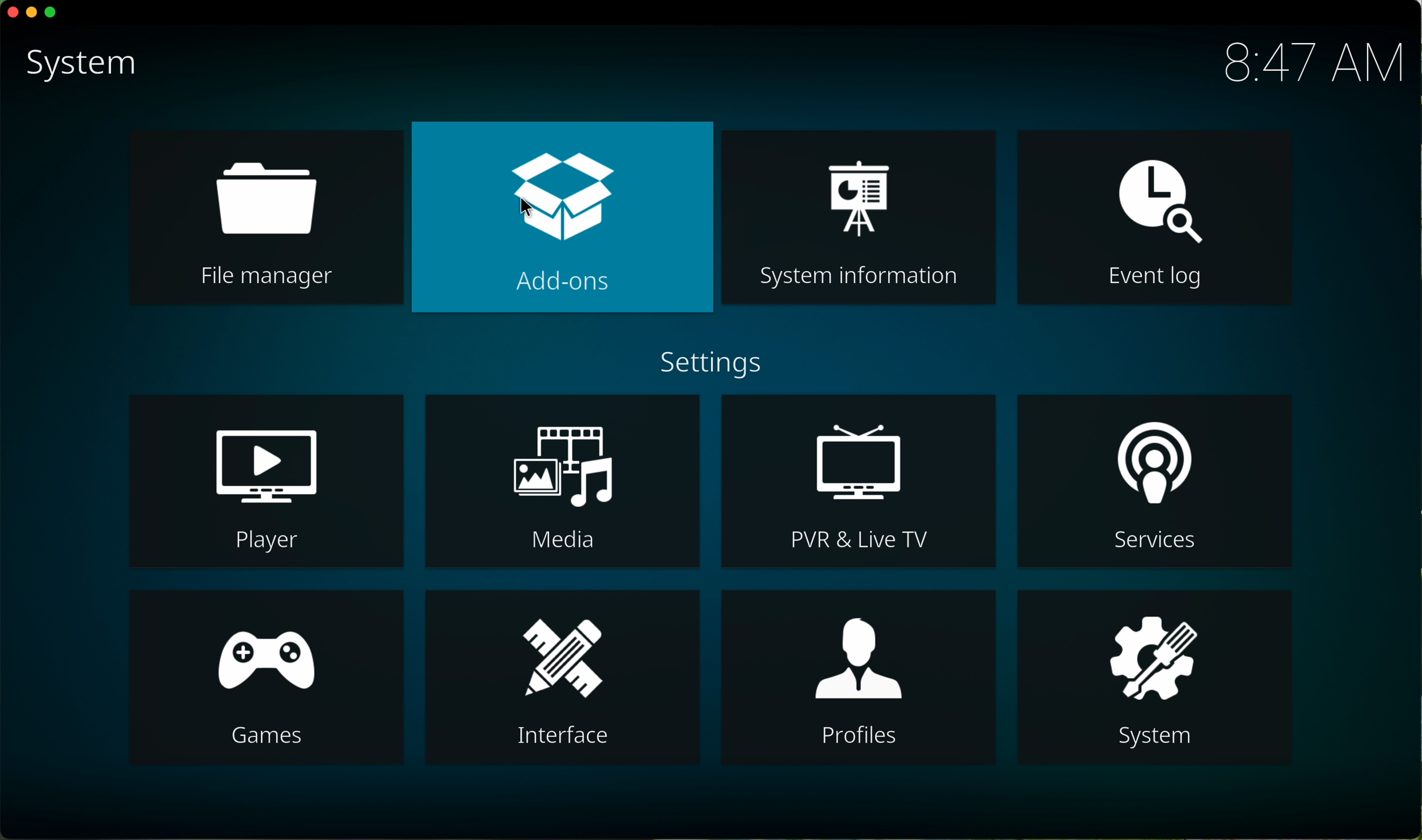 The width and height of the screenshot is (1422, 840). What do you see at coordinates (858, 479) in the screenshot?
I see `PVR & Live TV` at bounding box center [858, 479].